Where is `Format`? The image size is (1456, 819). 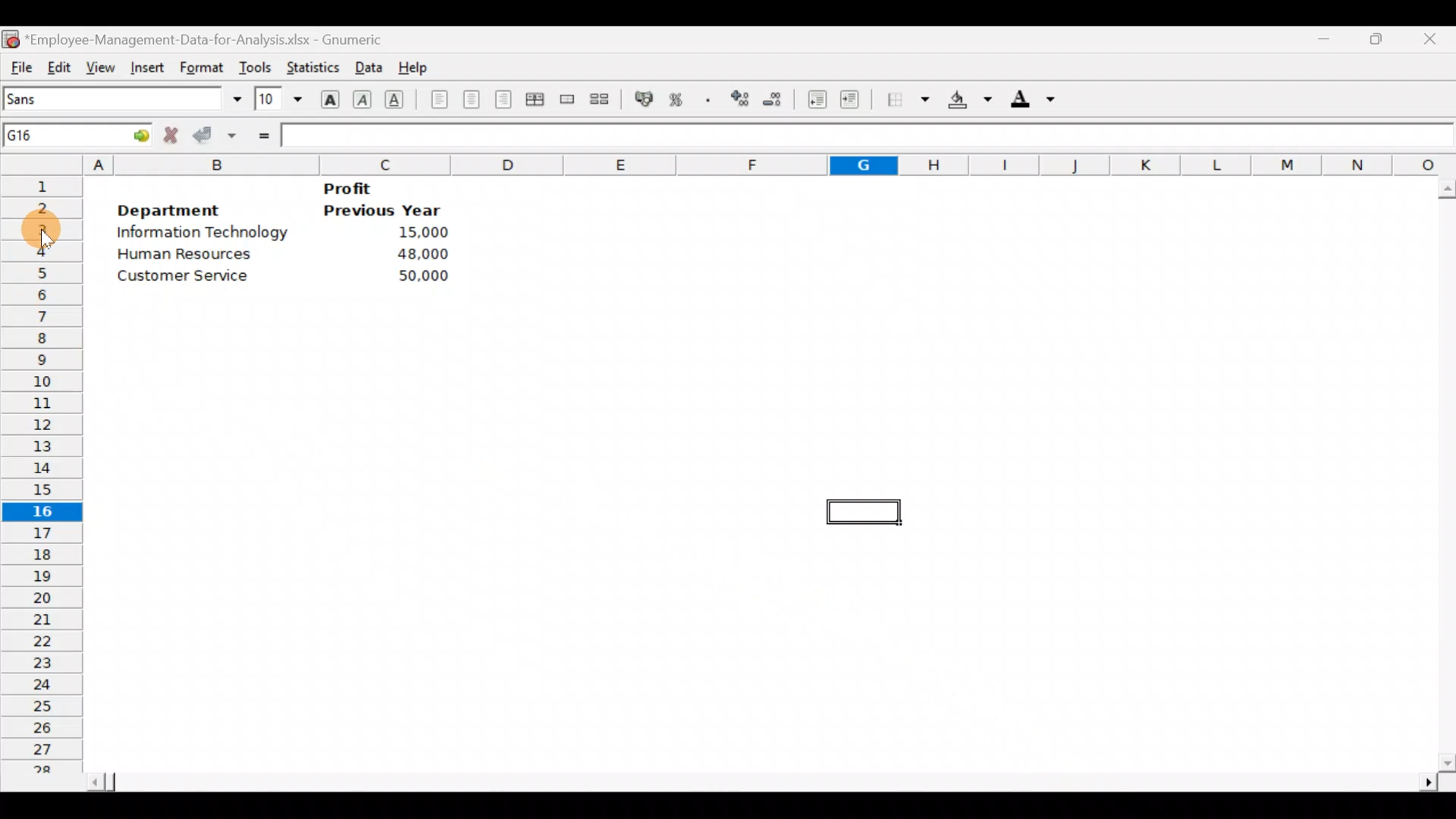
Format is located at coordinates (199, 67).